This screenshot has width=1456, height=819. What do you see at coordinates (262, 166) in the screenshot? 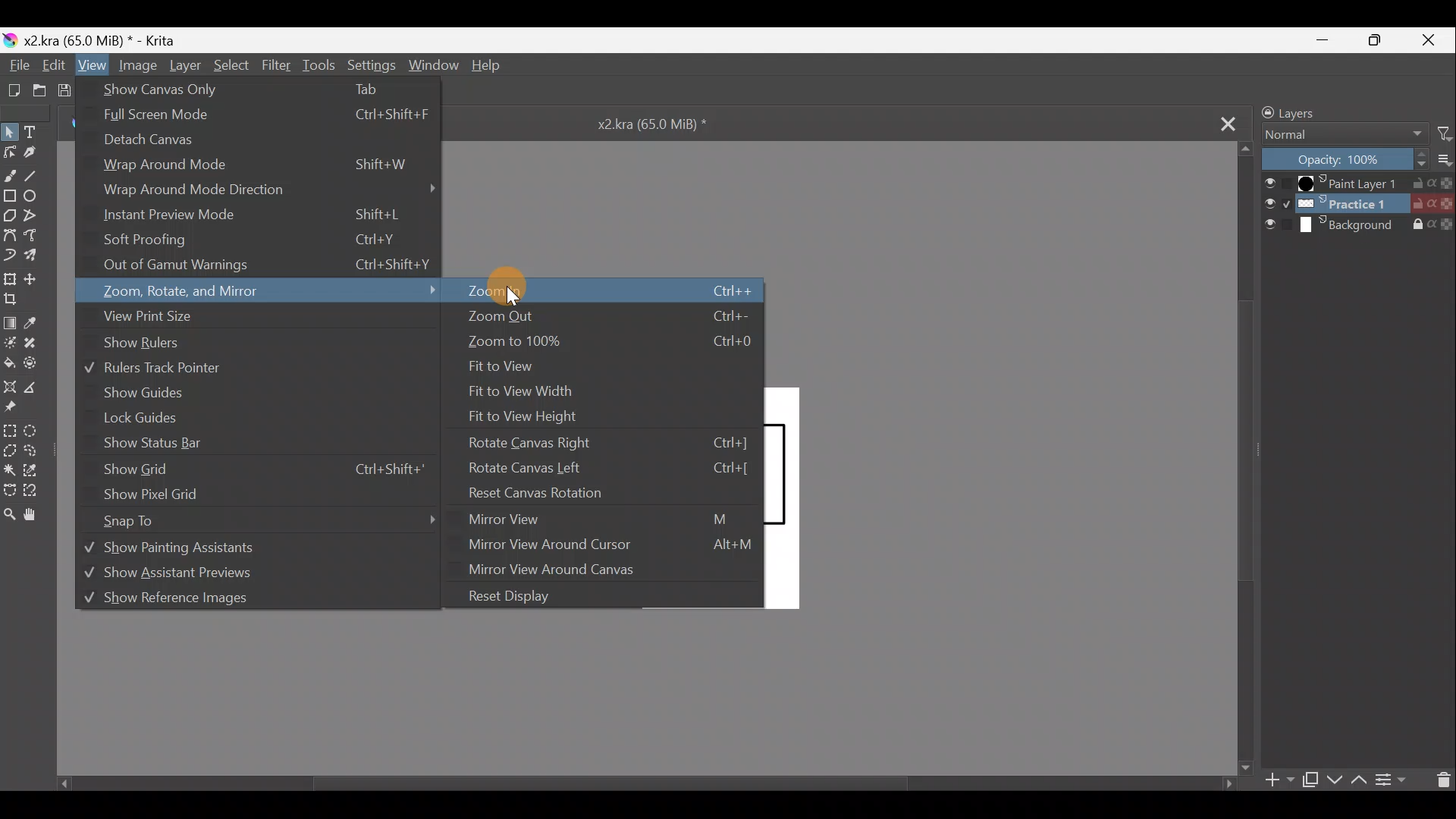
I see `Wrap around mode  Shift+W` at bounding box center [262, 166].